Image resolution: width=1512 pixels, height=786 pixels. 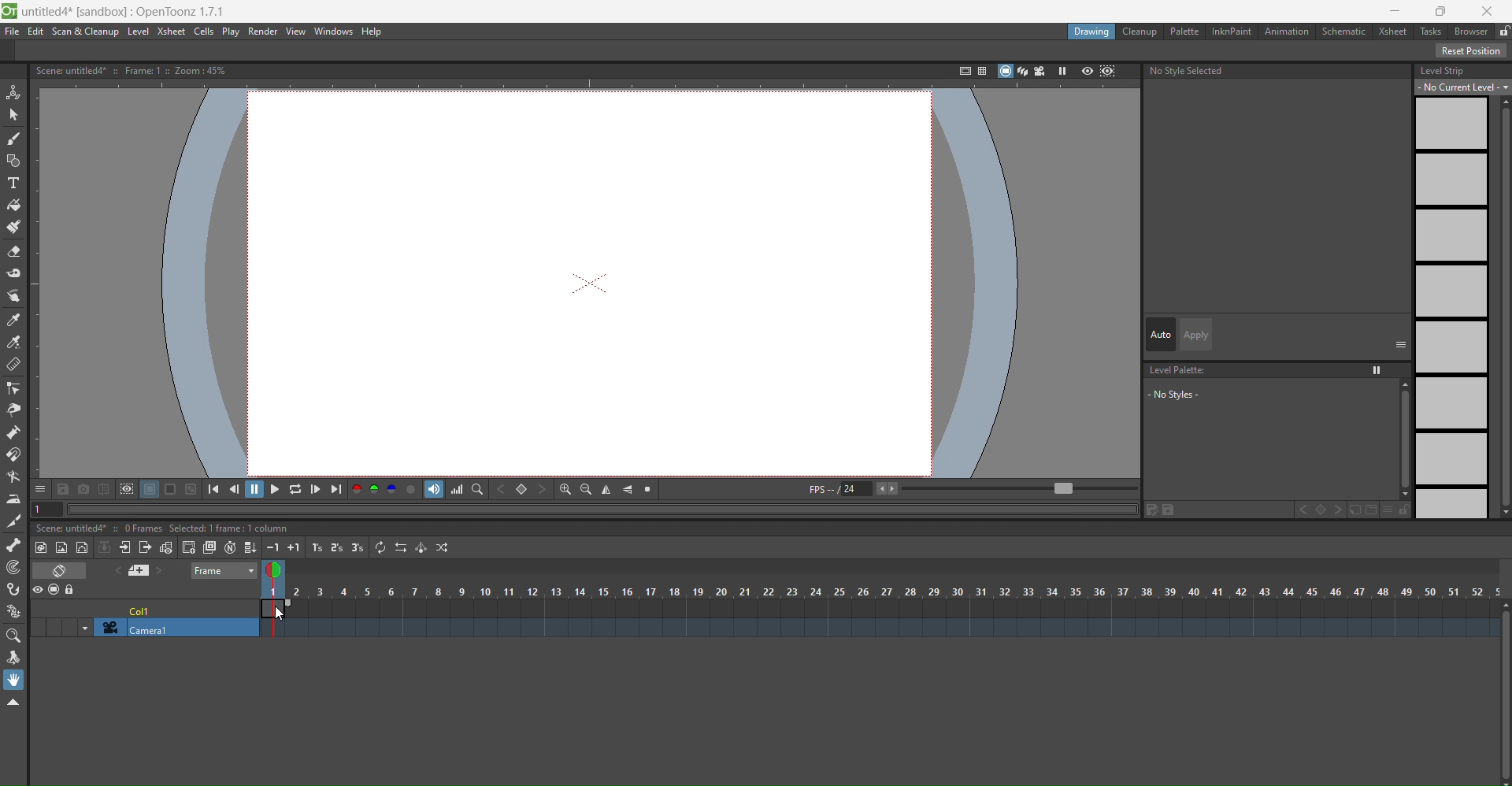 What do you see at coordinates (14, 477) in the screenshot?
I see `bender tool` at bounding box center [14, 477].